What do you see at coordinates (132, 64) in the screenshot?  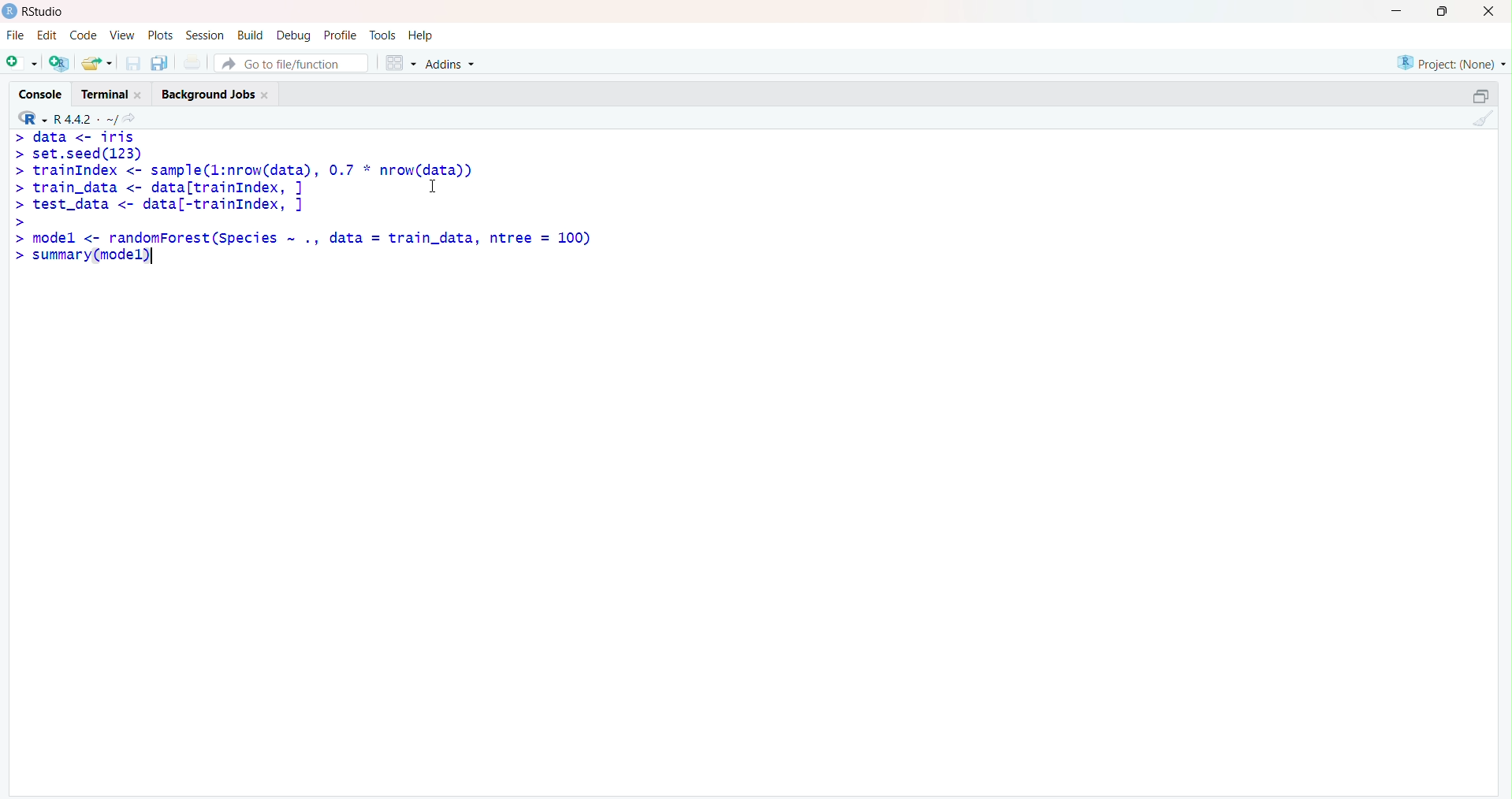 I see `Save current document (Ctrl + S)` at bounding box center [132, 64].